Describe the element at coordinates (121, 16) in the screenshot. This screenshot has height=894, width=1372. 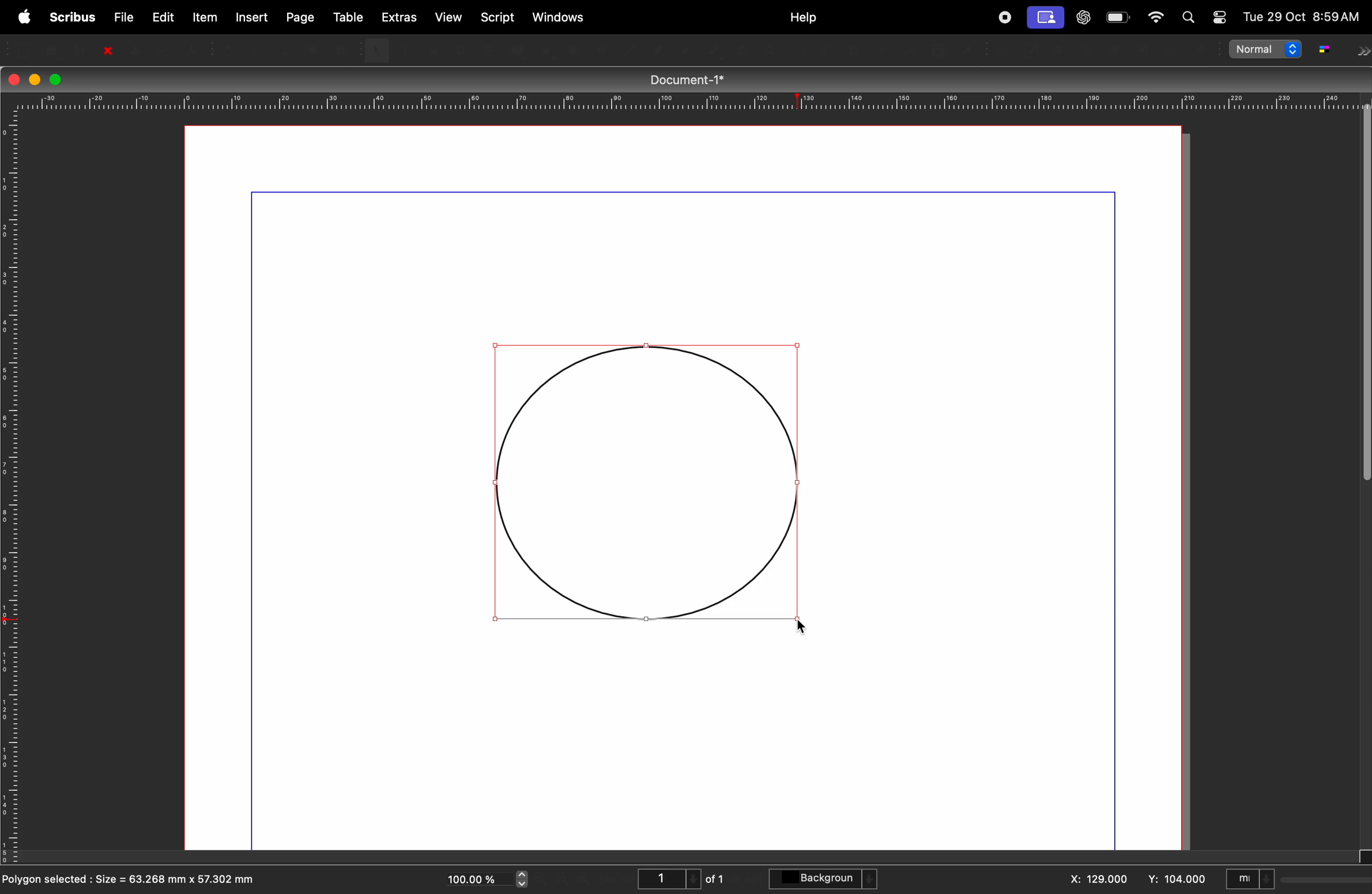
I see `file` at that location.